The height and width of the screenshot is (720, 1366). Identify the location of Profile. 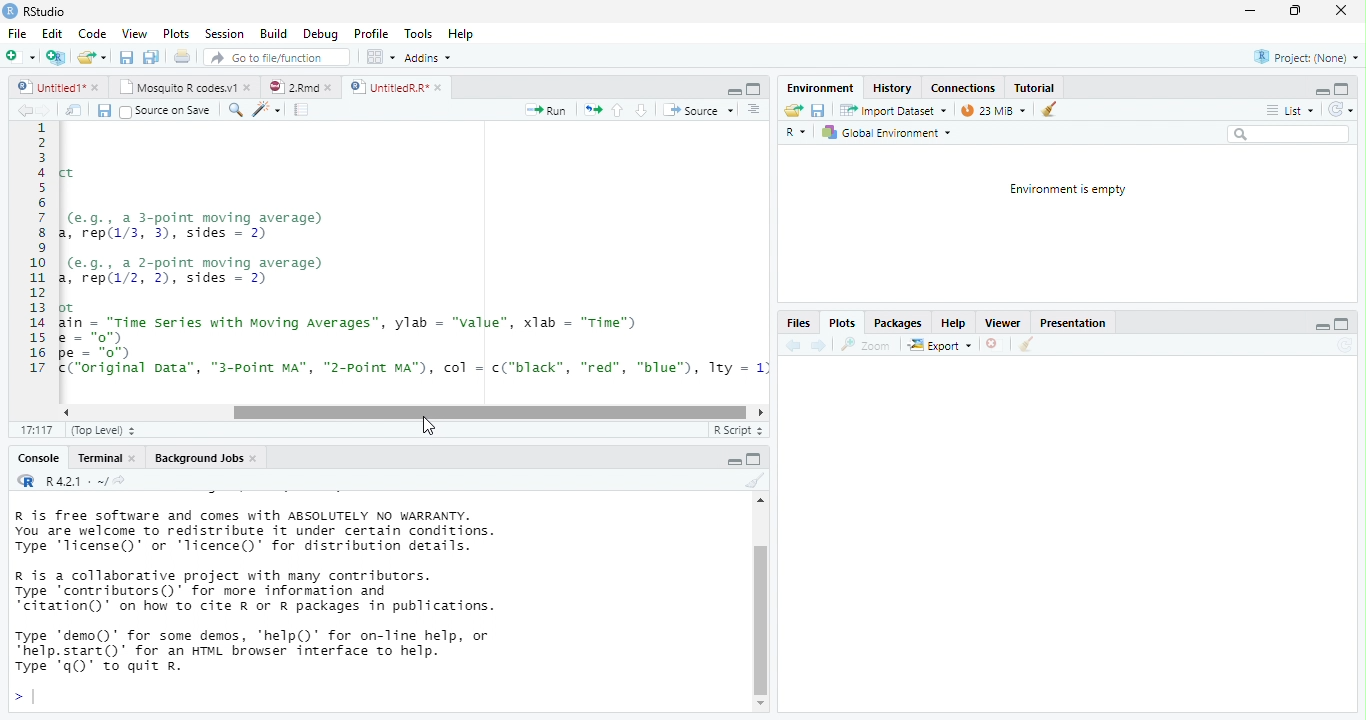
(371, 34).